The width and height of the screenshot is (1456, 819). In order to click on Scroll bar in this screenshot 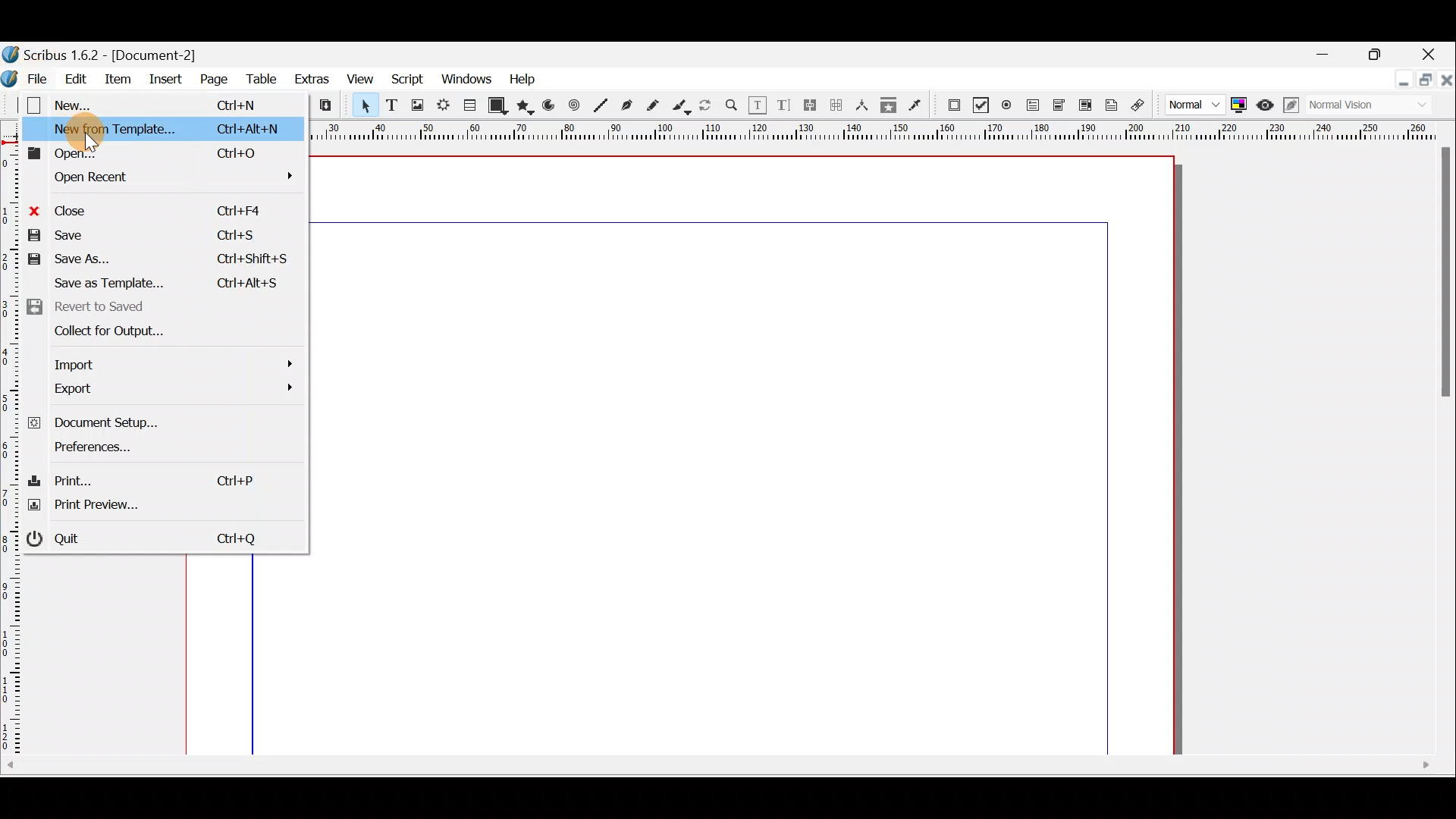, I will do `click(1445, 450)`.